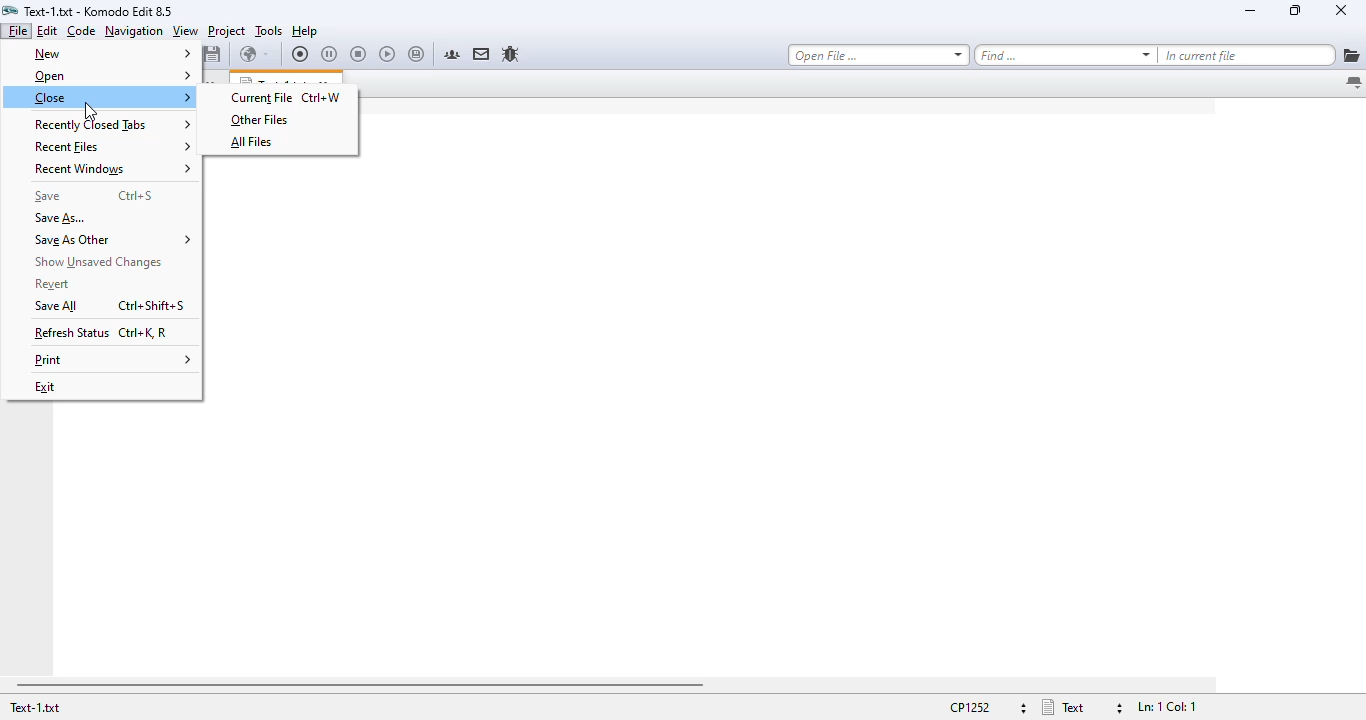 Image resolution: width=1366 pixels, height=720 pixels. Describe the element at coordinates (510, 54) in the screenshot. I see `report a bug in the komodo bugzilla database` at that location.